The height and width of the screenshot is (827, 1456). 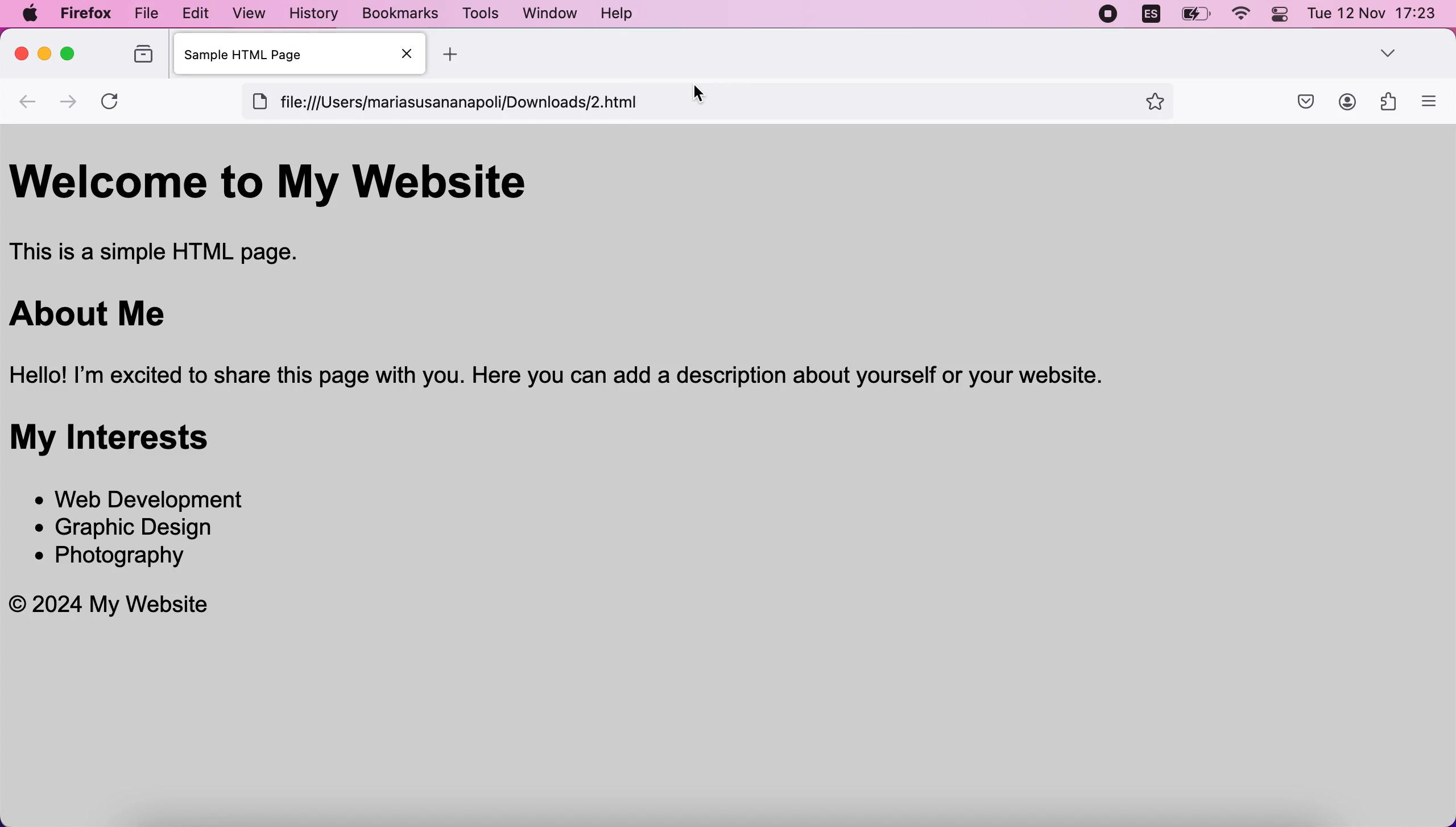 I want to click on open application menu, so click(x=1430, y=102).